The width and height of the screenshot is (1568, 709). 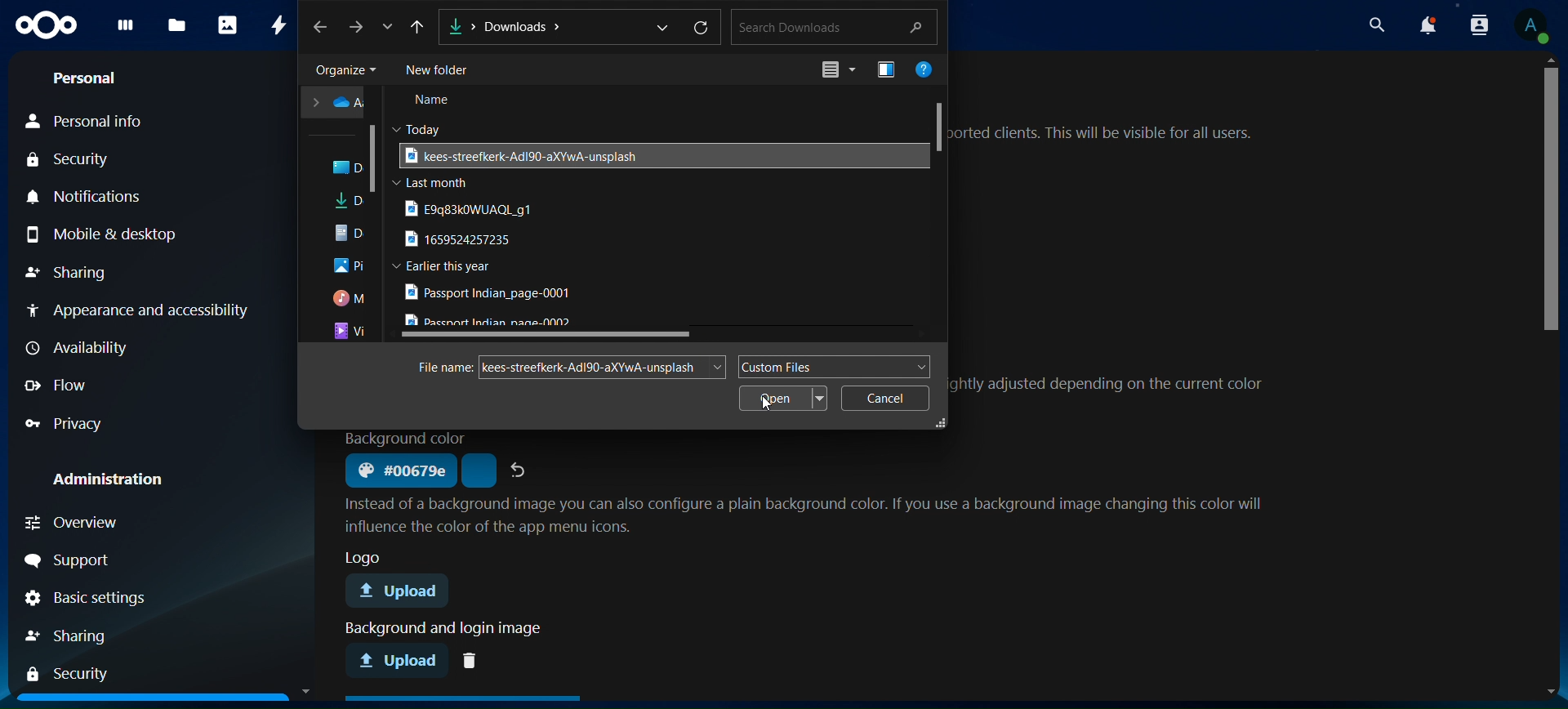 What do you see at coordinates (496, 320) in the screenshot?
I see `file` at bounding box center [496, 320].